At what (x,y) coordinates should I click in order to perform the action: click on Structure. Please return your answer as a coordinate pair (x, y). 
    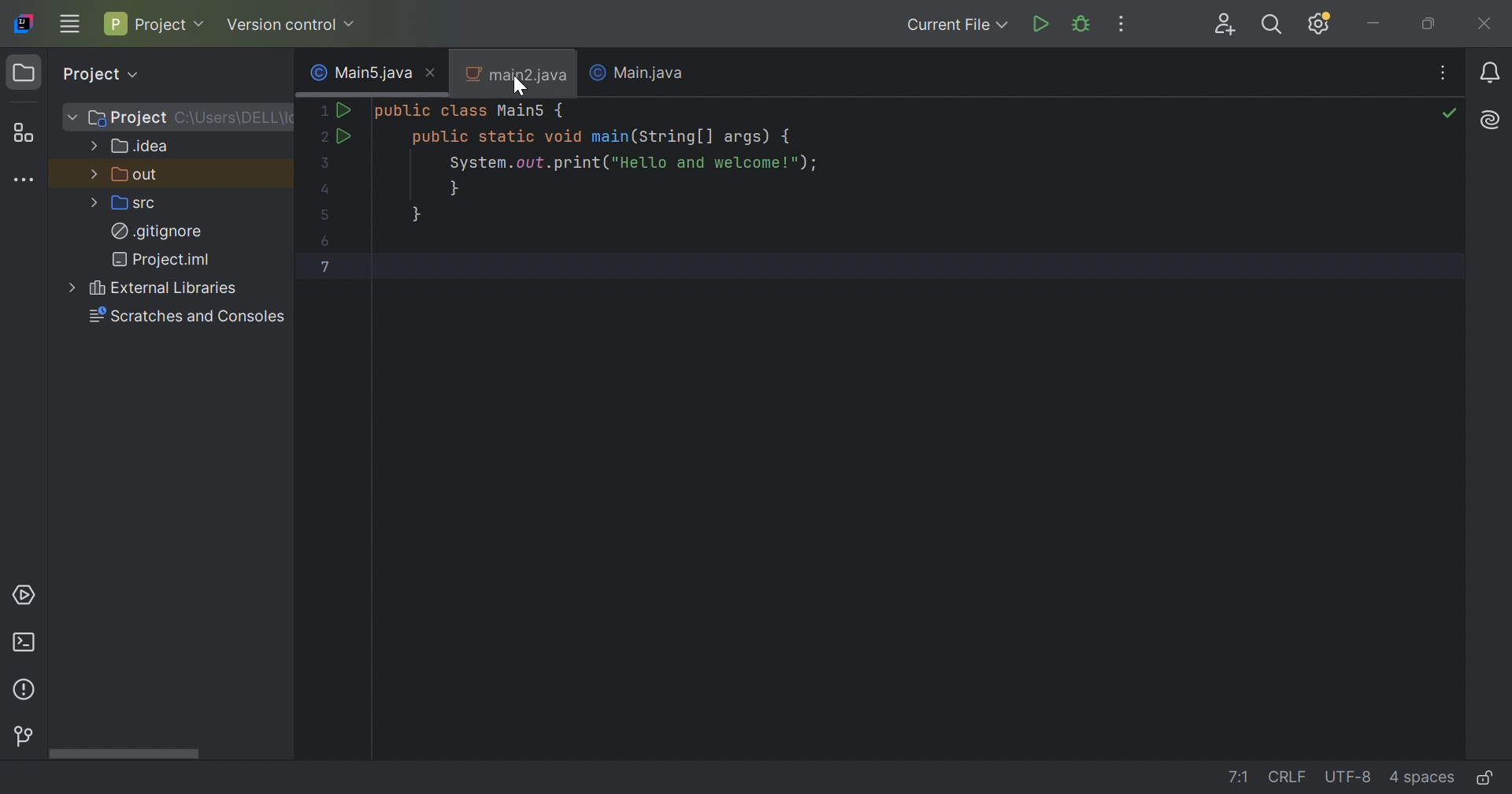
    Looking at the image, I should click on (23, 132).